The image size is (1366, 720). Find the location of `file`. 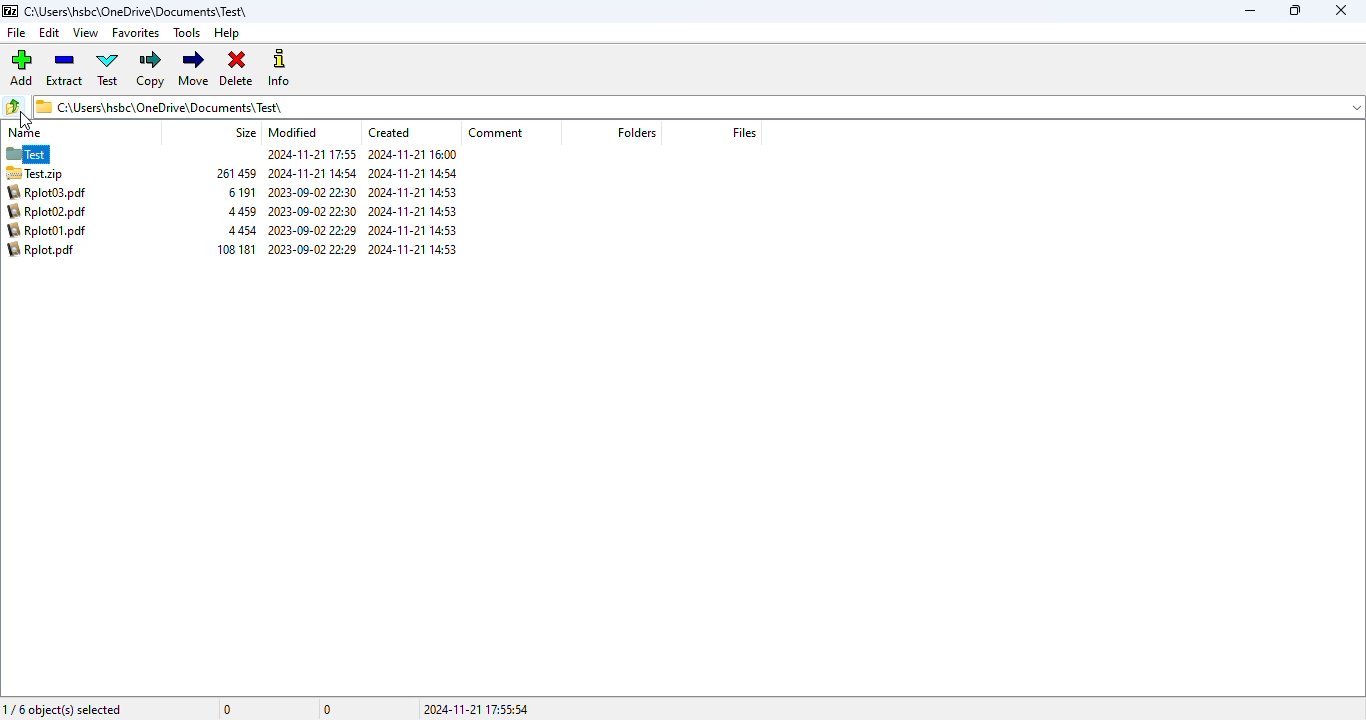

file is located at coordinates (16, 33).